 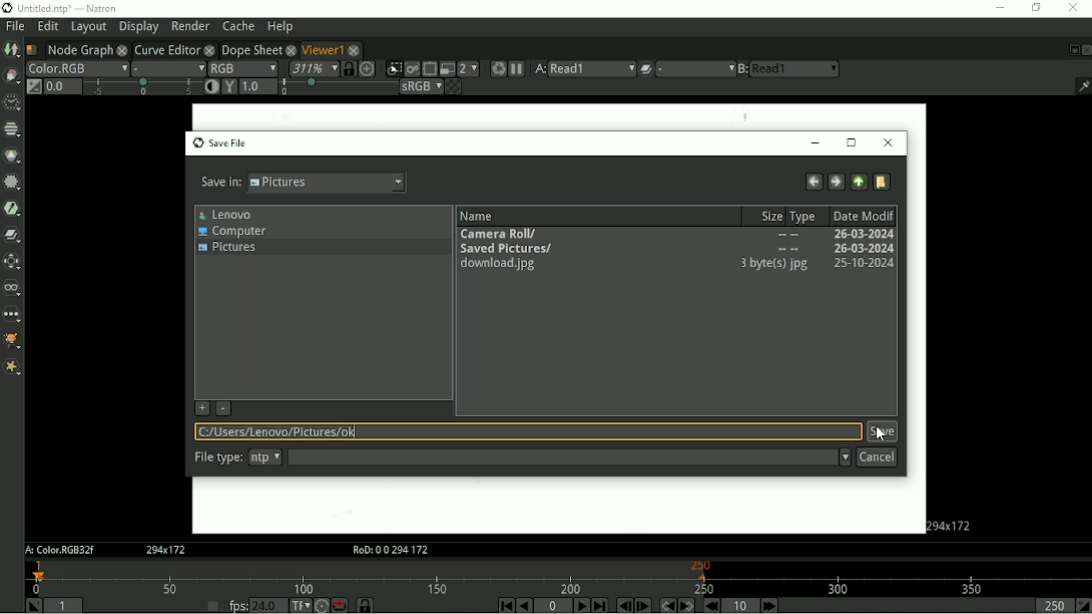 I want to click on Draw, so click(x=12, y=77).